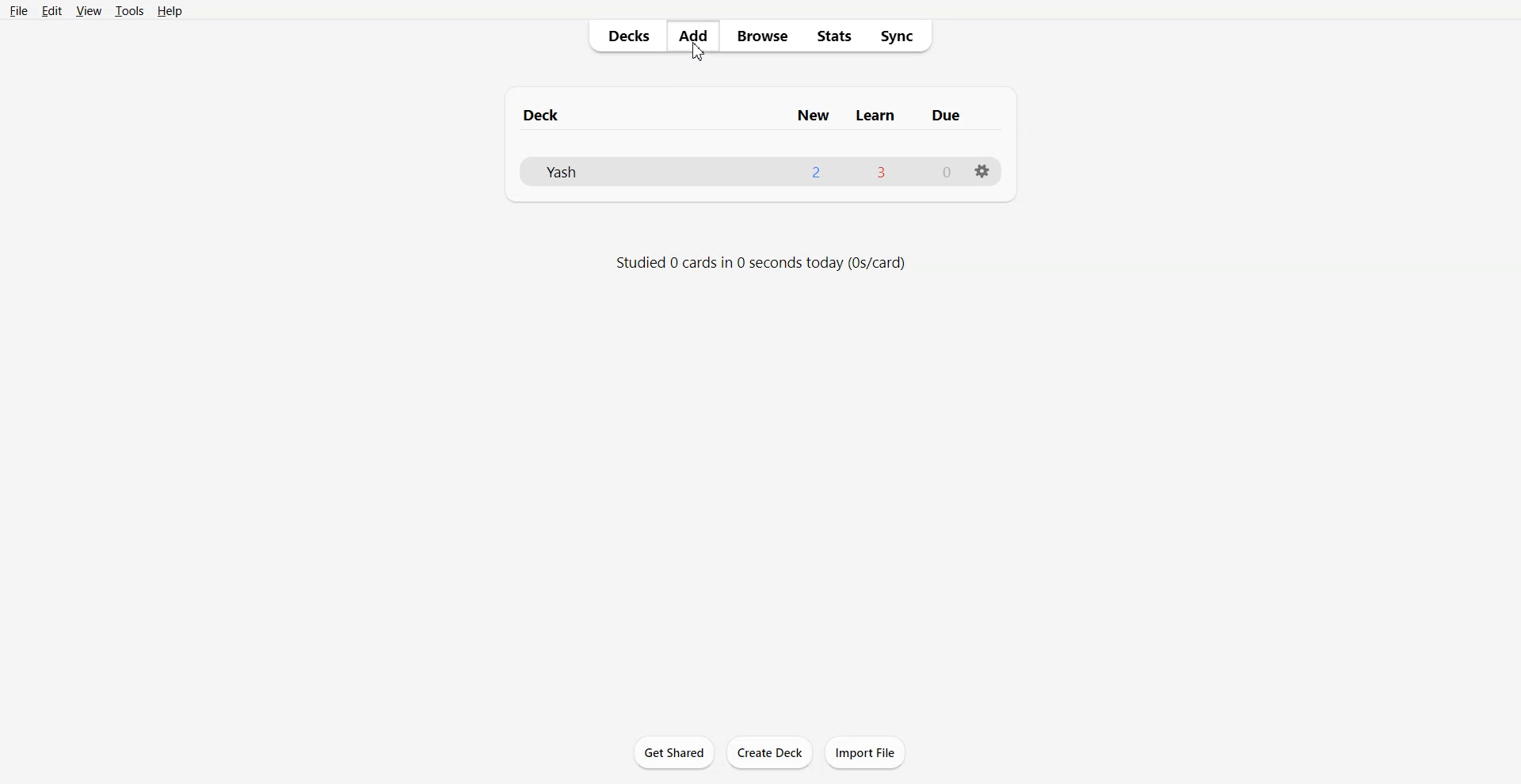  What do you see at coordinates (544, 113) in the screenshot?
I see `Deck` at bounding box center [544, 113].